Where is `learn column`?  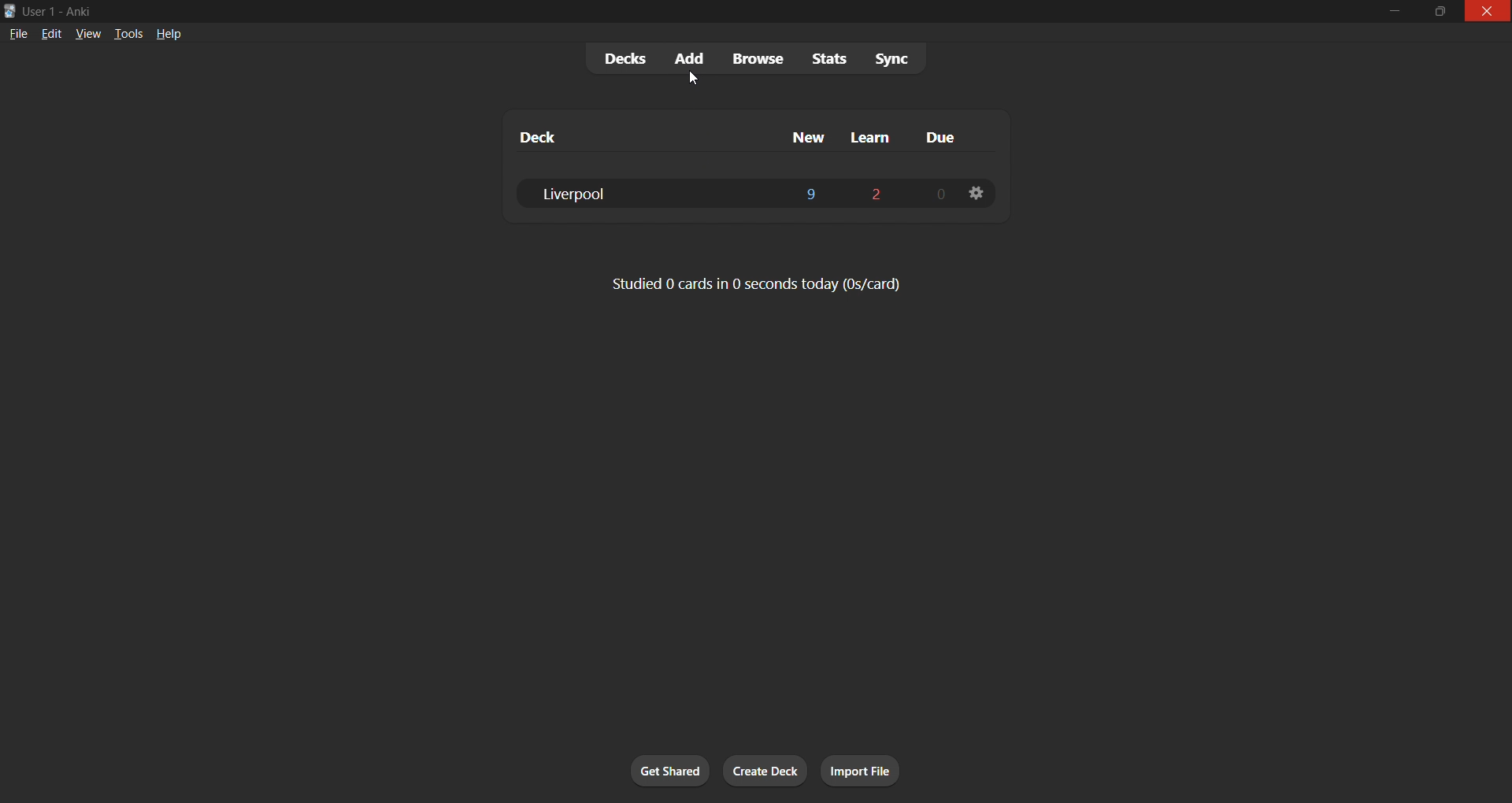
learn column is located at coordinates (871, 138).